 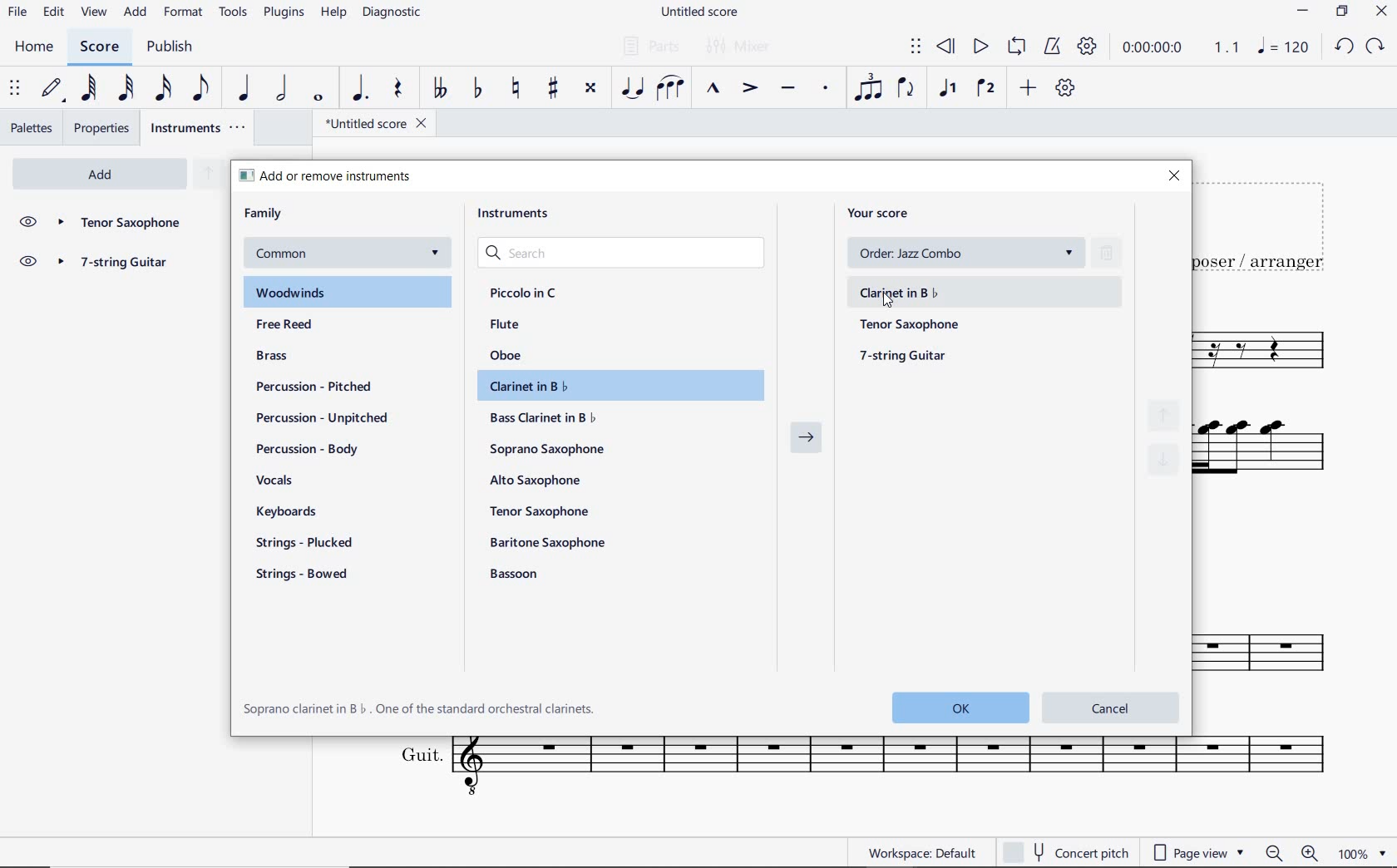 I want to click on up, so click(x=207, y=175).